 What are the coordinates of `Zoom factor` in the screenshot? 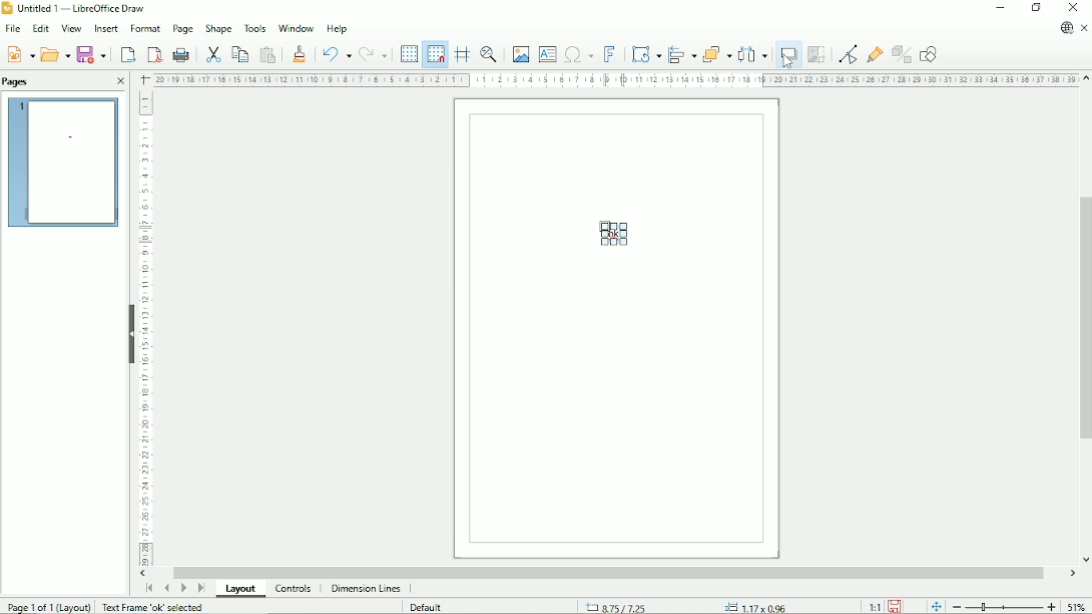 It's located at (1078, 607).